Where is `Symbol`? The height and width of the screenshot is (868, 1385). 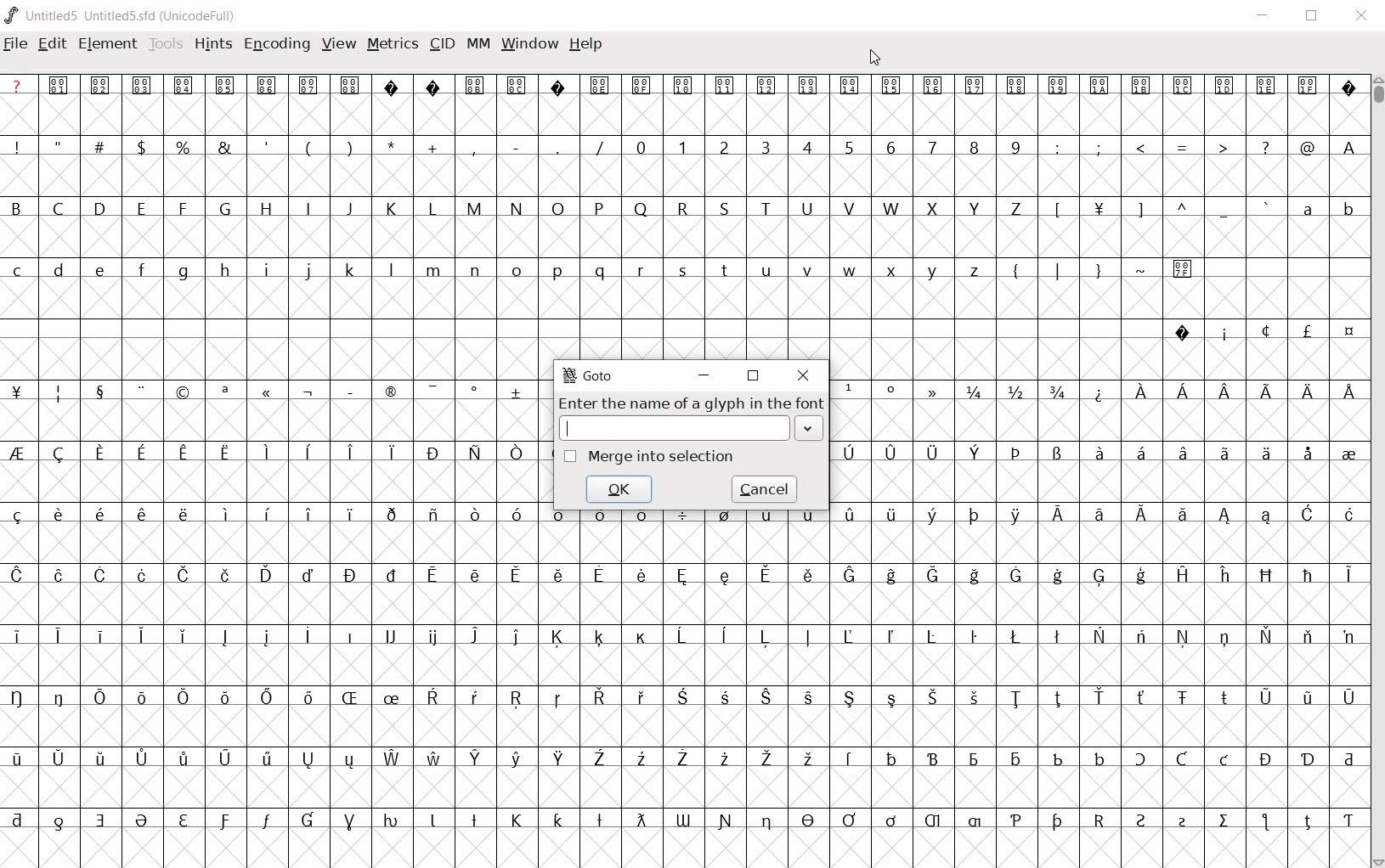 Symbol is located at coordinates (349, 698).